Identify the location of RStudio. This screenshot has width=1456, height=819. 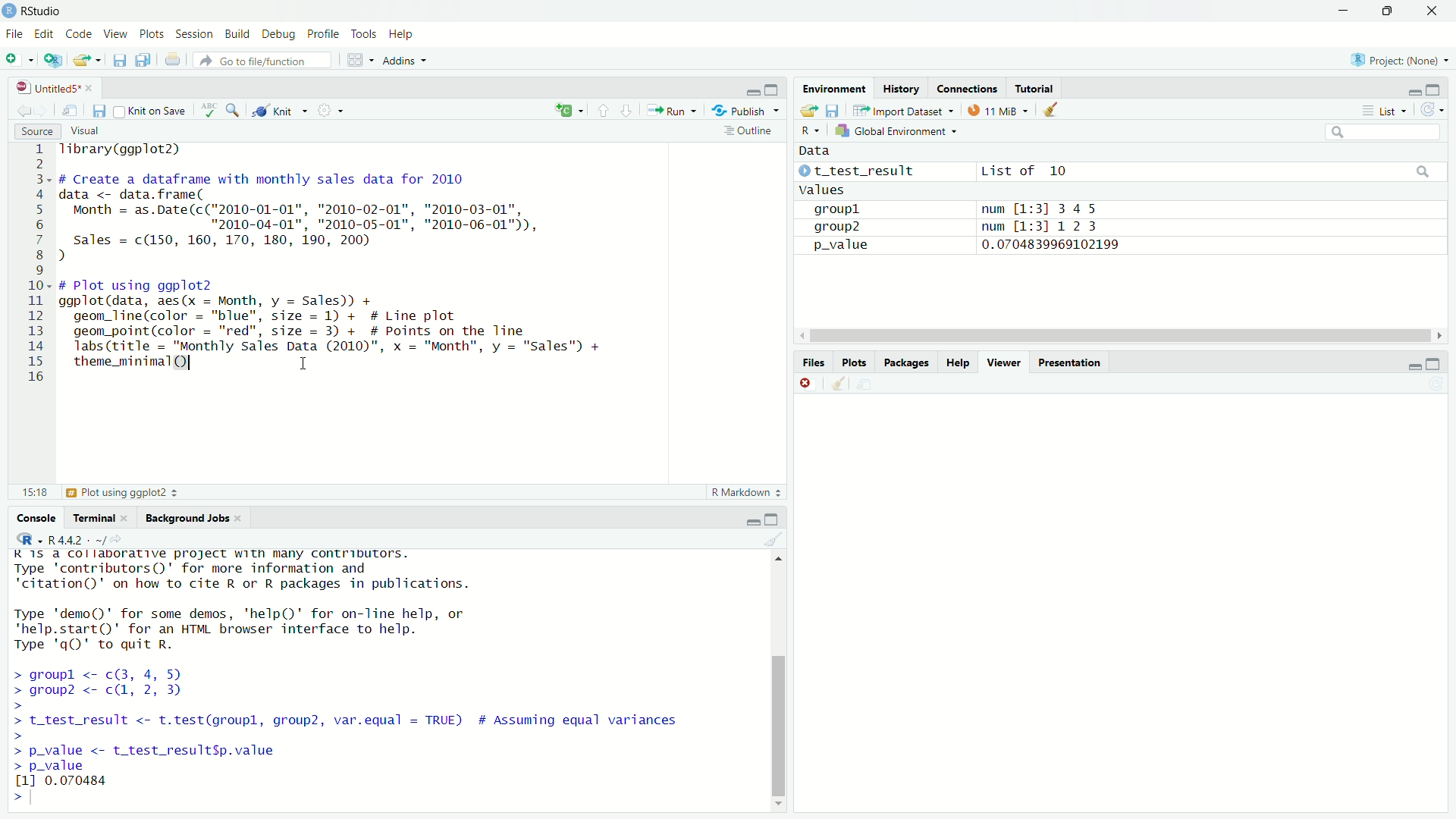
(37, 11).